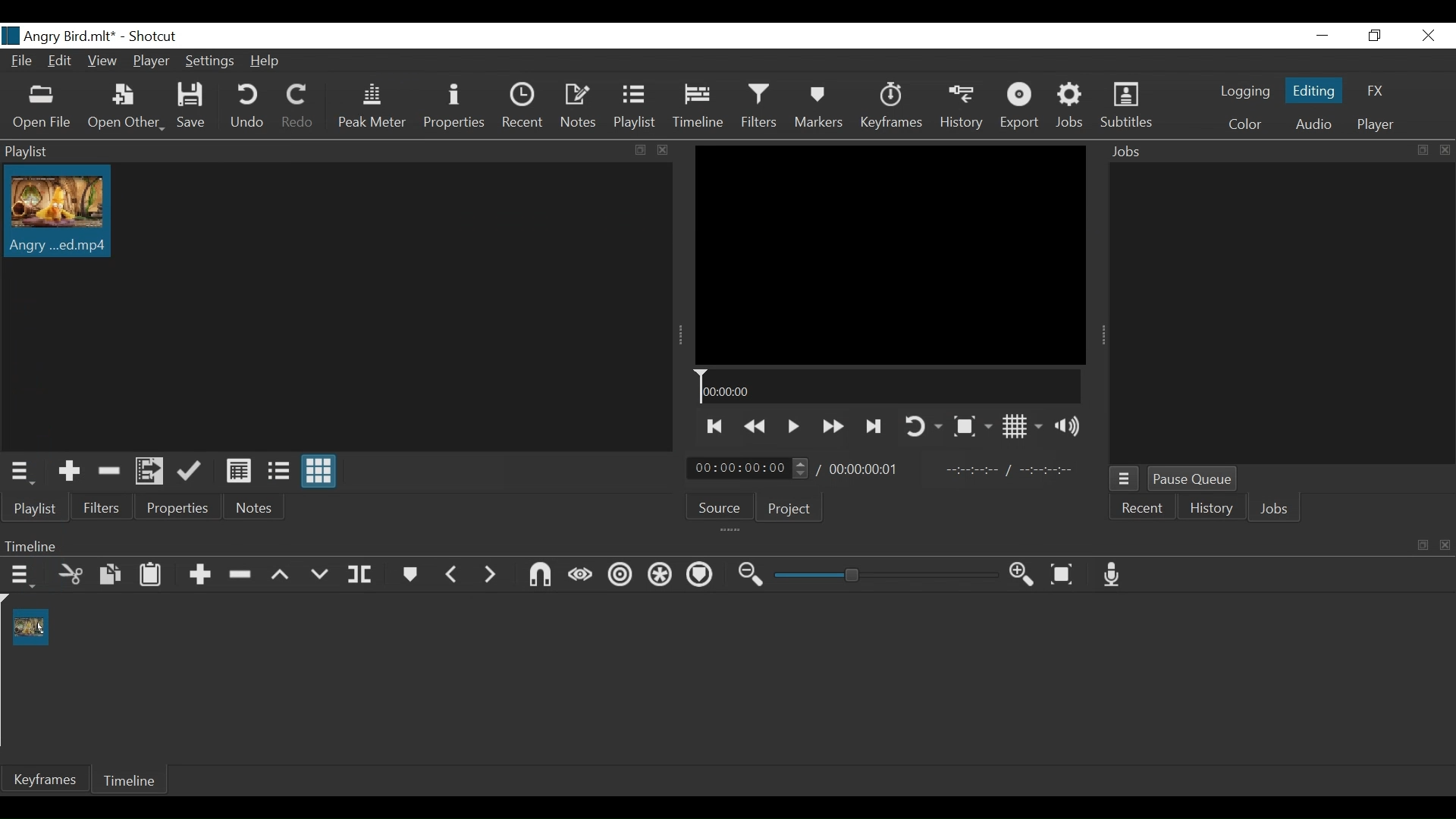 Image resolution: width=1456 pixels, height=819 pixels. I want to click on logging, so click(1246, 92).